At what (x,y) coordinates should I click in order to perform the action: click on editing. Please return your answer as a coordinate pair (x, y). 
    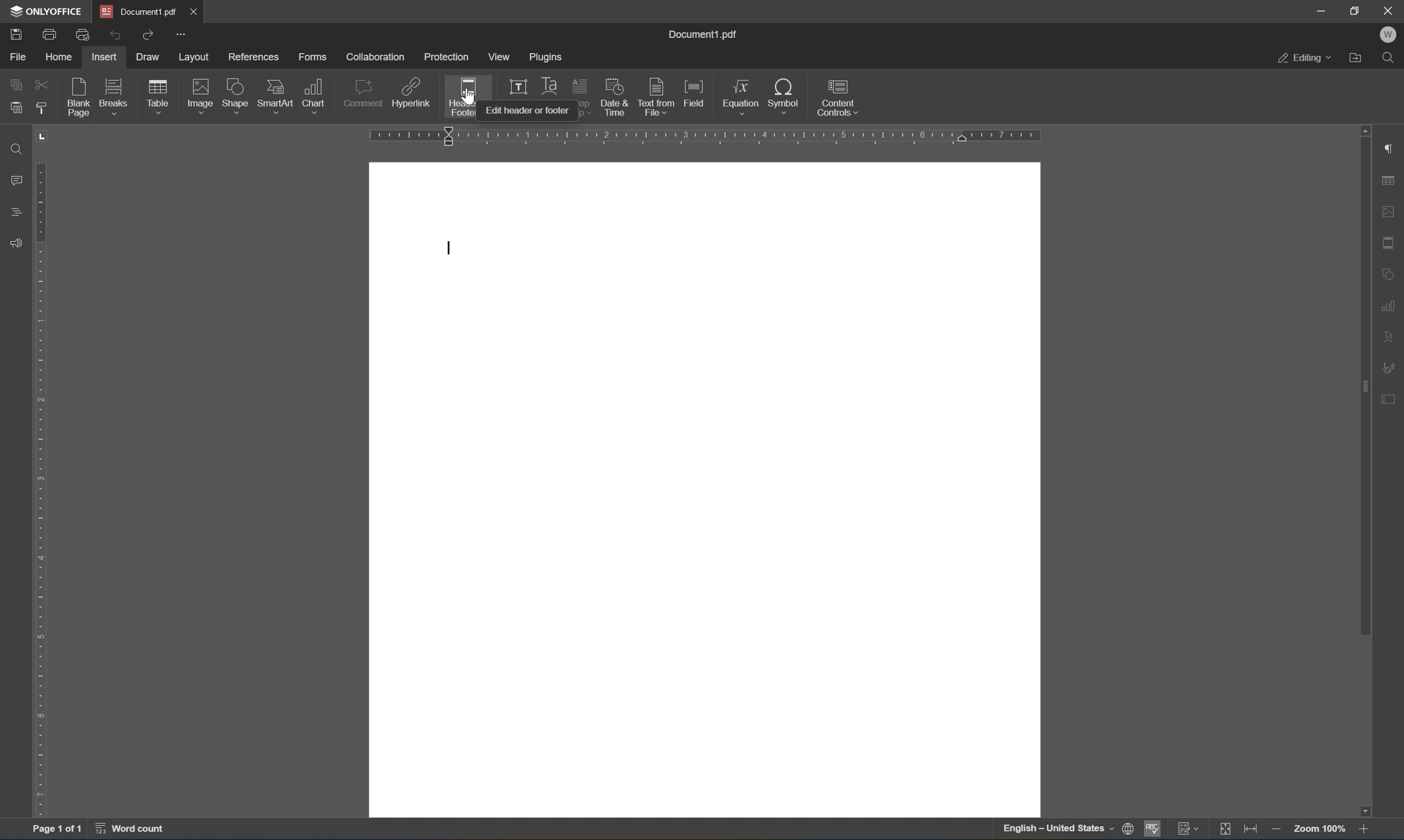
    Looking at the image, I should click on (1304, 57).